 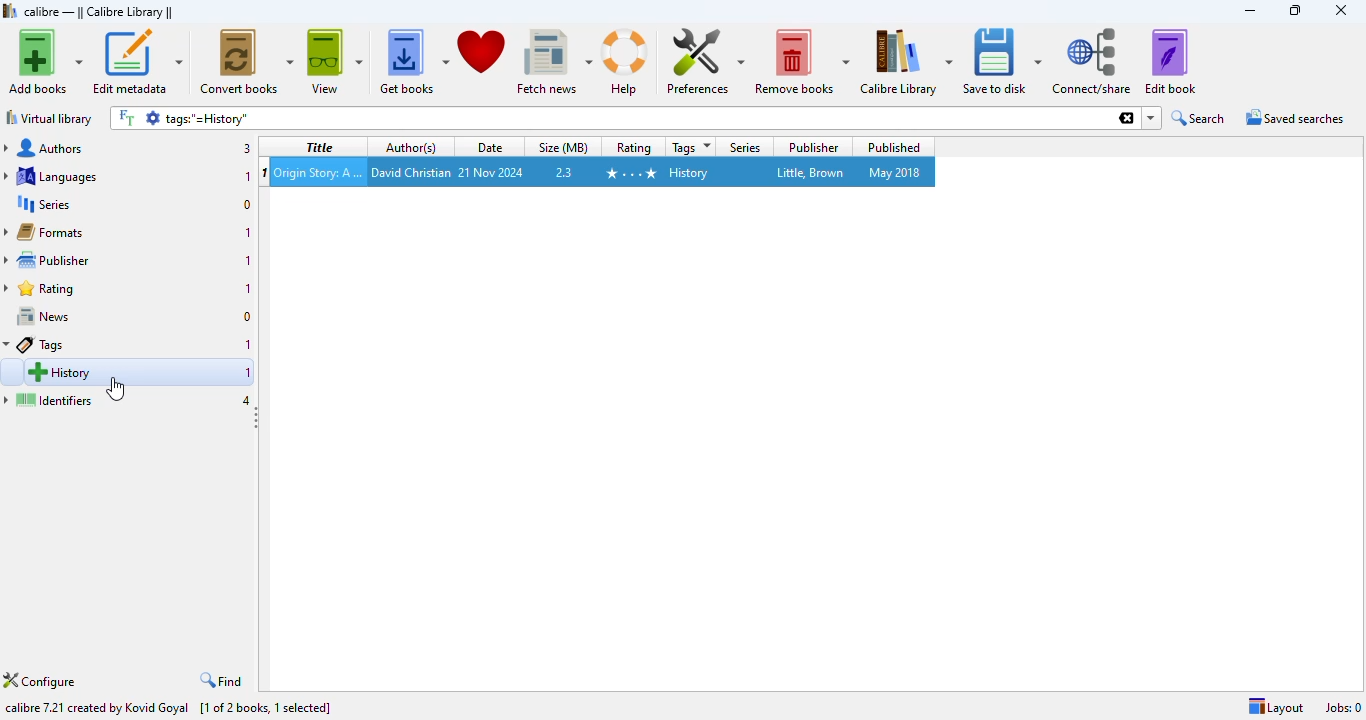 What do you see at coordinates (248, 345) in the screenshot?
I see `1` at bounding box center [248, 345].